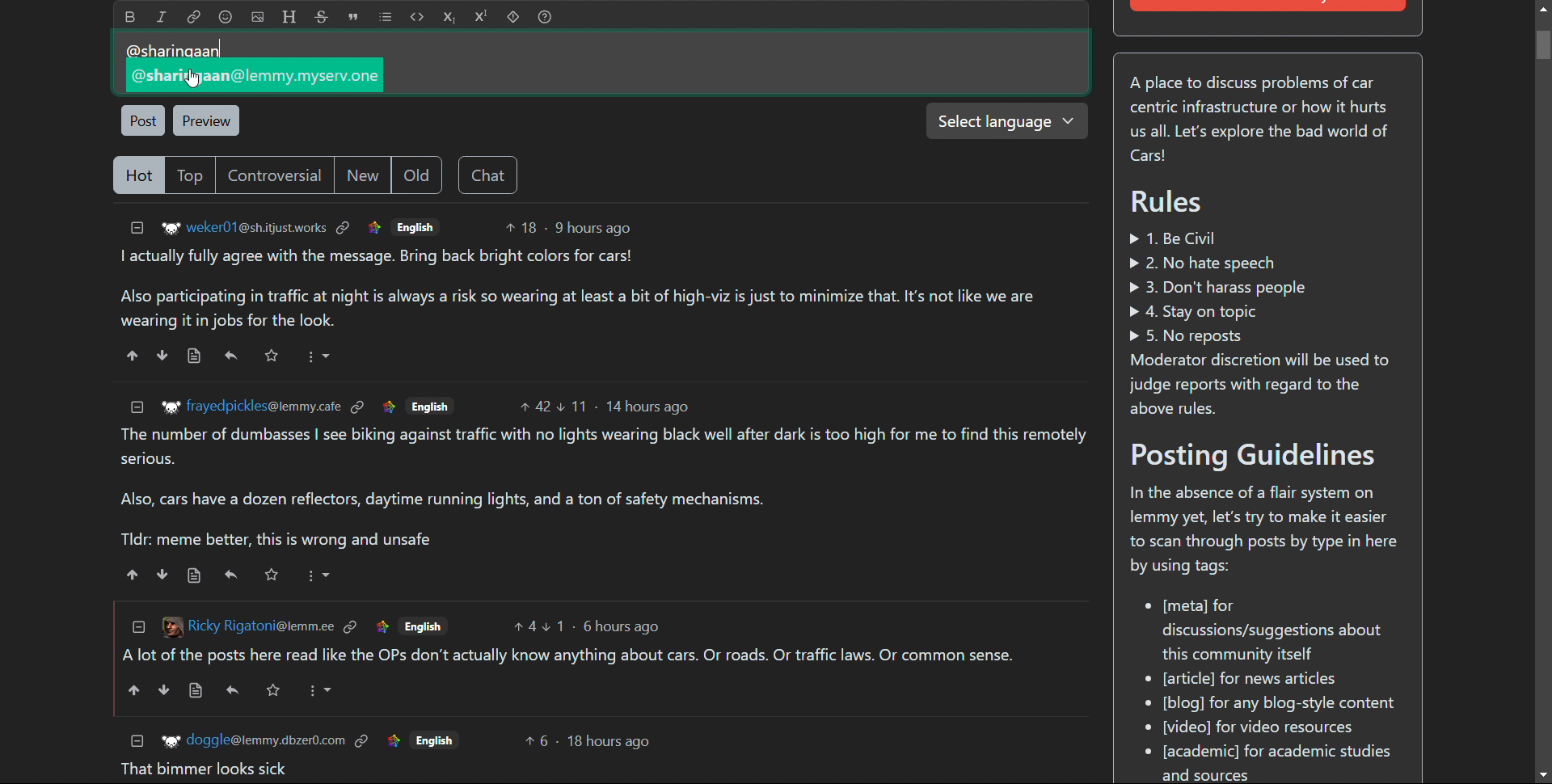  What do you see at coordinates (133, 356) in the screenshot?
I see `upvote` at bounding box center [133, 356].